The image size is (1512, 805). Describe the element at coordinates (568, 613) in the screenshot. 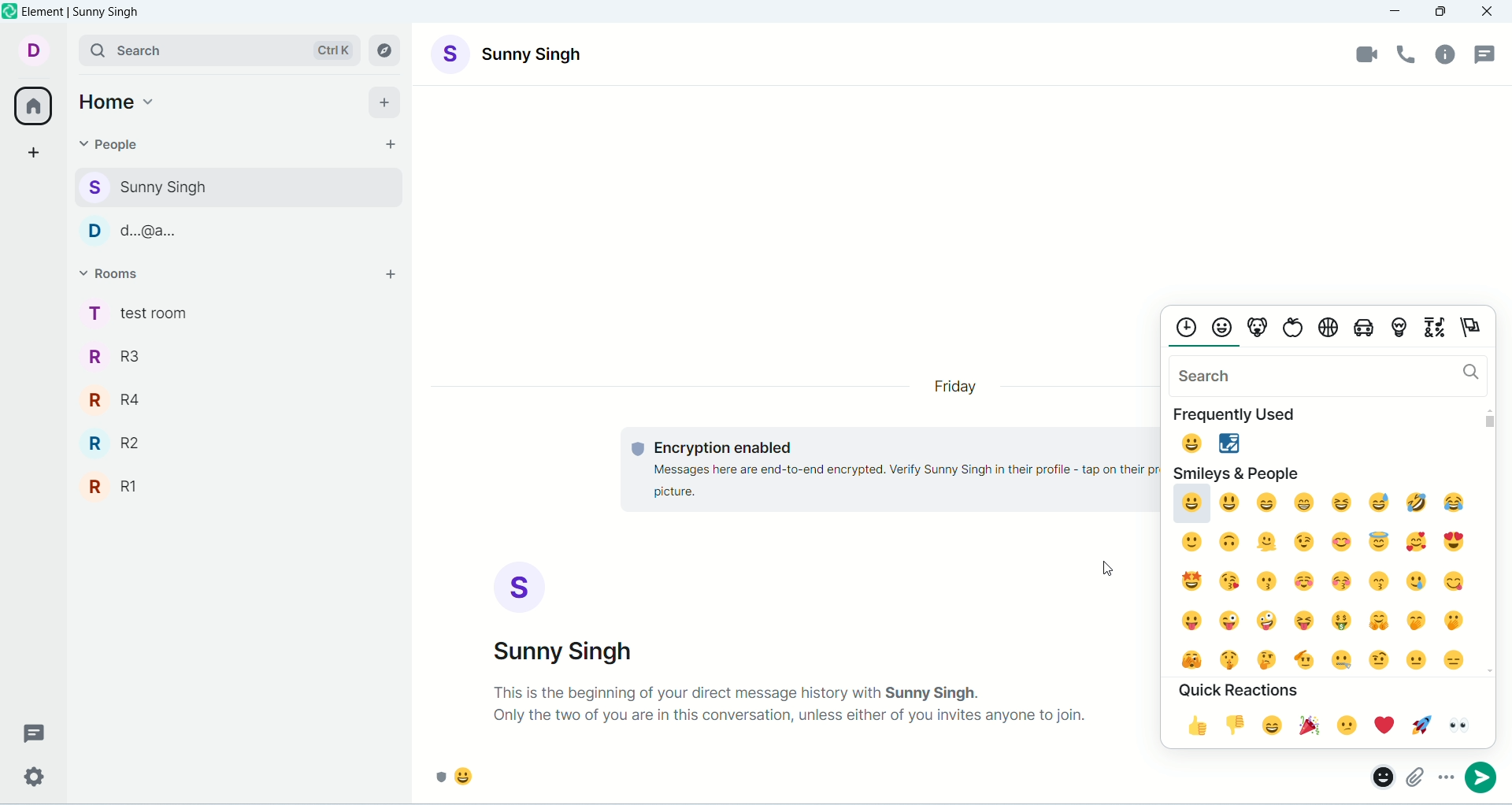

I see `account` at that location.